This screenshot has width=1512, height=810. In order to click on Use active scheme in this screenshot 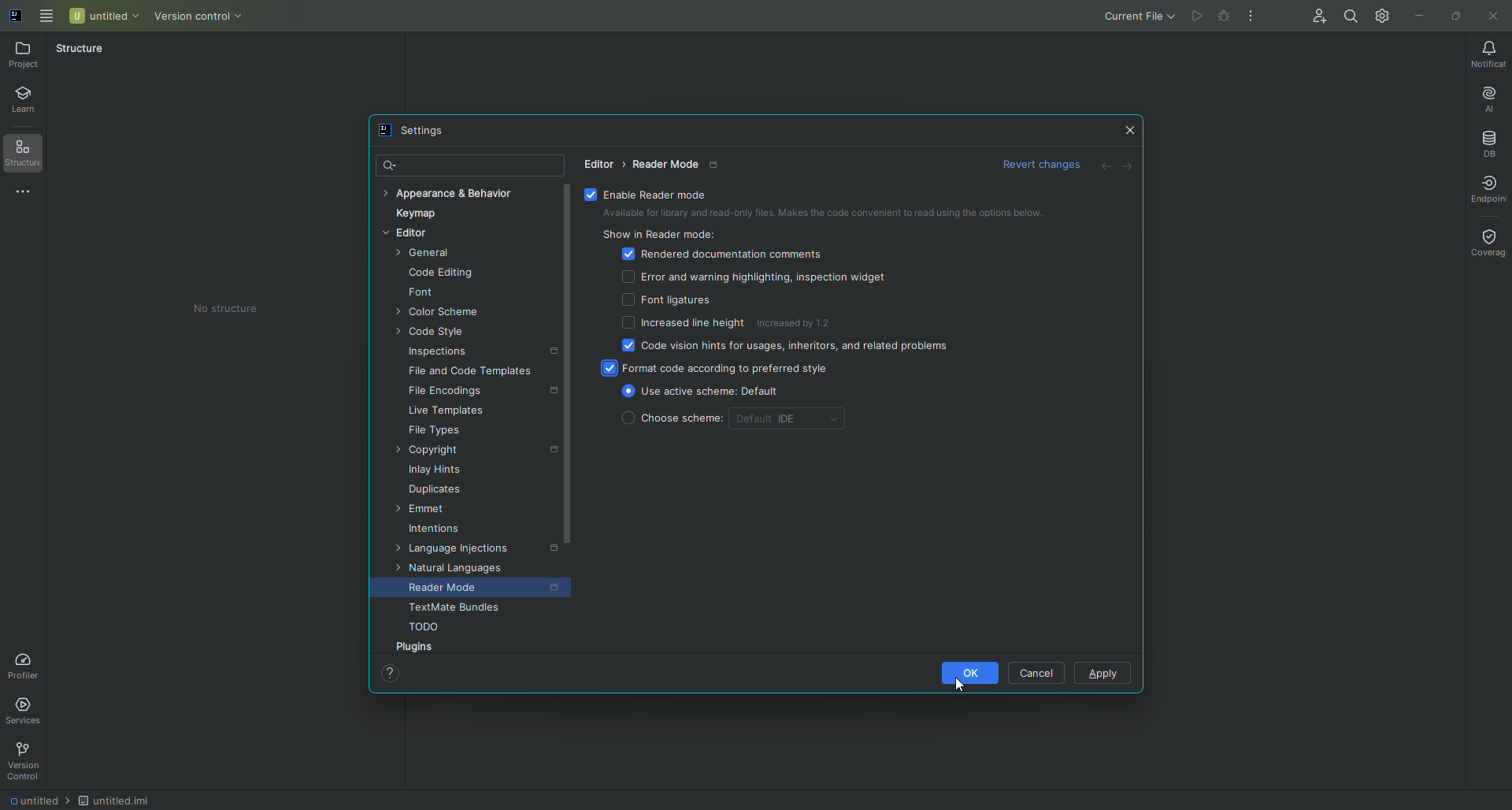, I will do `click(732, 388)`.